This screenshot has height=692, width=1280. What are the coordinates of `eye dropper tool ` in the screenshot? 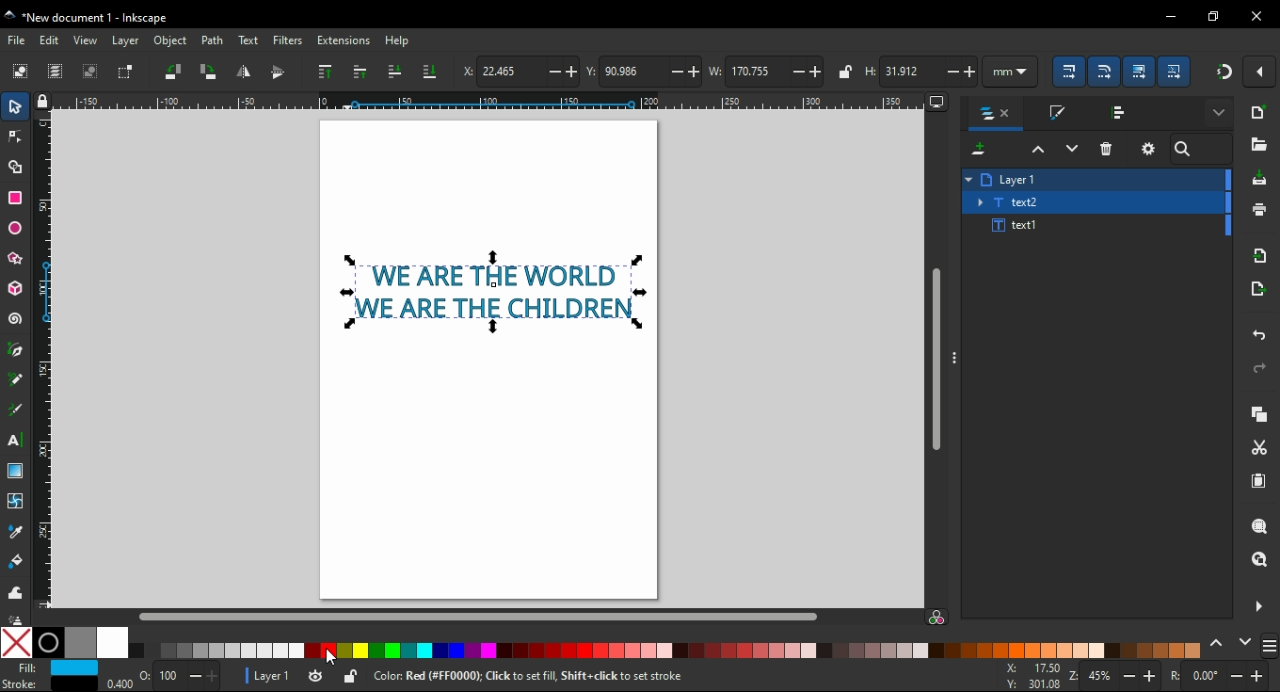 It's located at (20, 532).